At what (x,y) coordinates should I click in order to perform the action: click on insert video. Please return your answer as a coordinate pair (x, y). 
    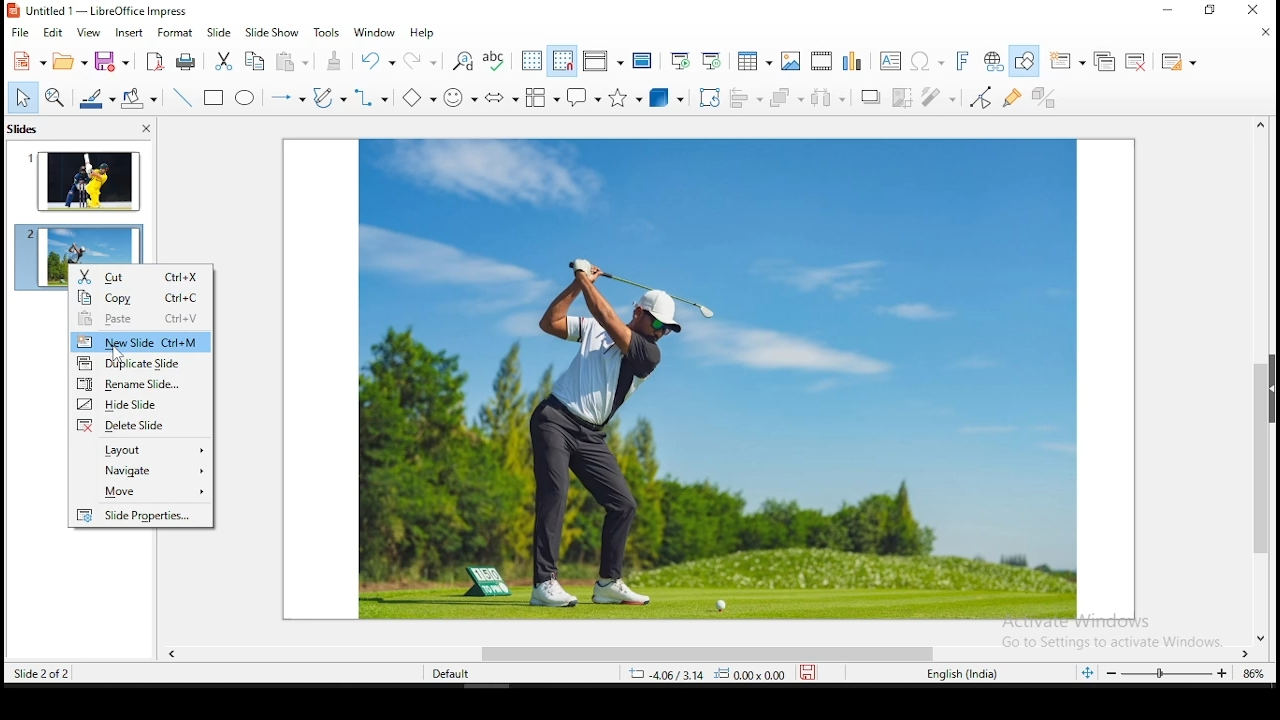
    Looking at the image, I should click on (820, 59).